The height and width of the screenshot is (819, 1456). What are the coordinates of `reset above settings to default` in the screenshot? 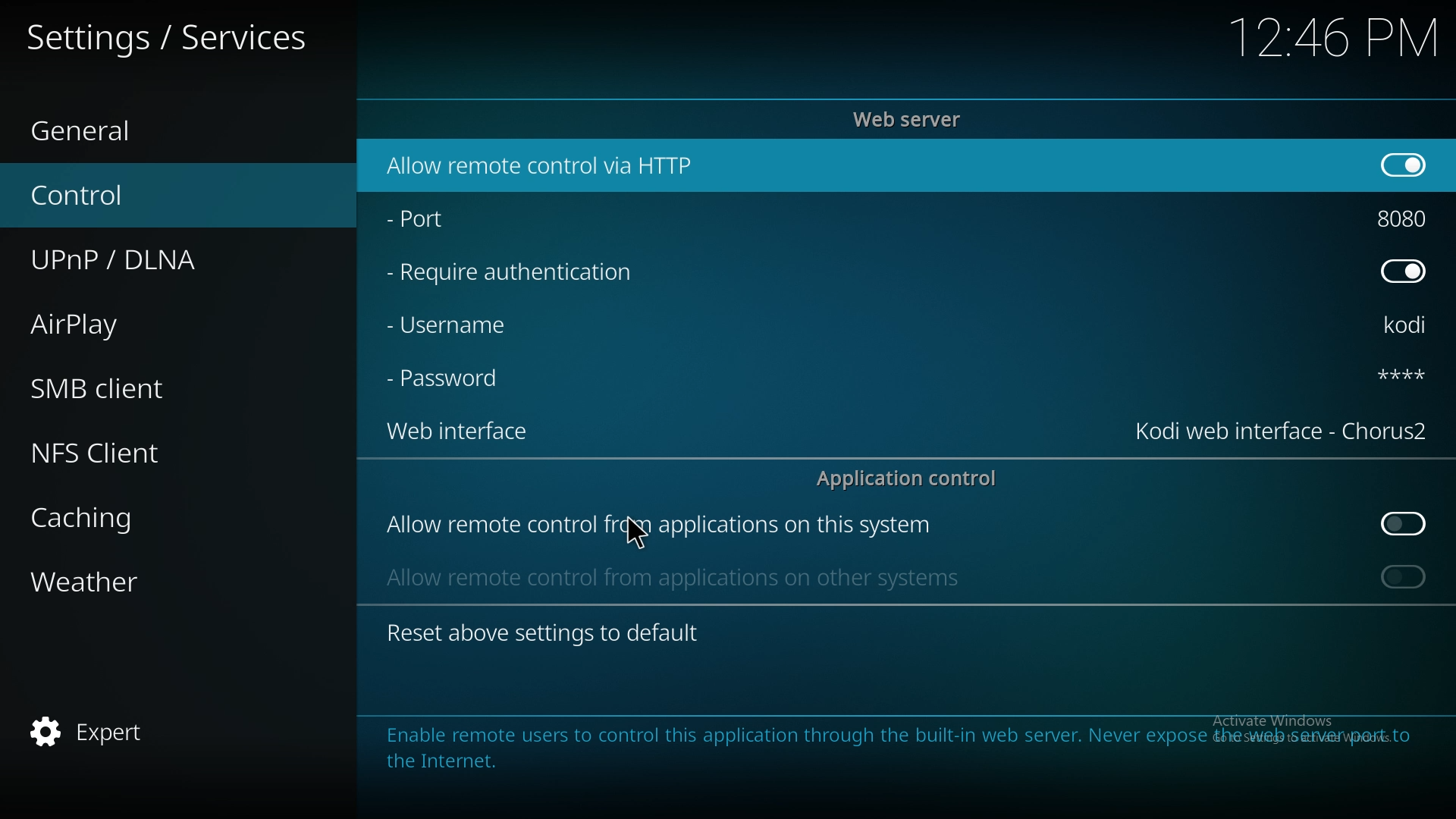 It's located at (542, 632).